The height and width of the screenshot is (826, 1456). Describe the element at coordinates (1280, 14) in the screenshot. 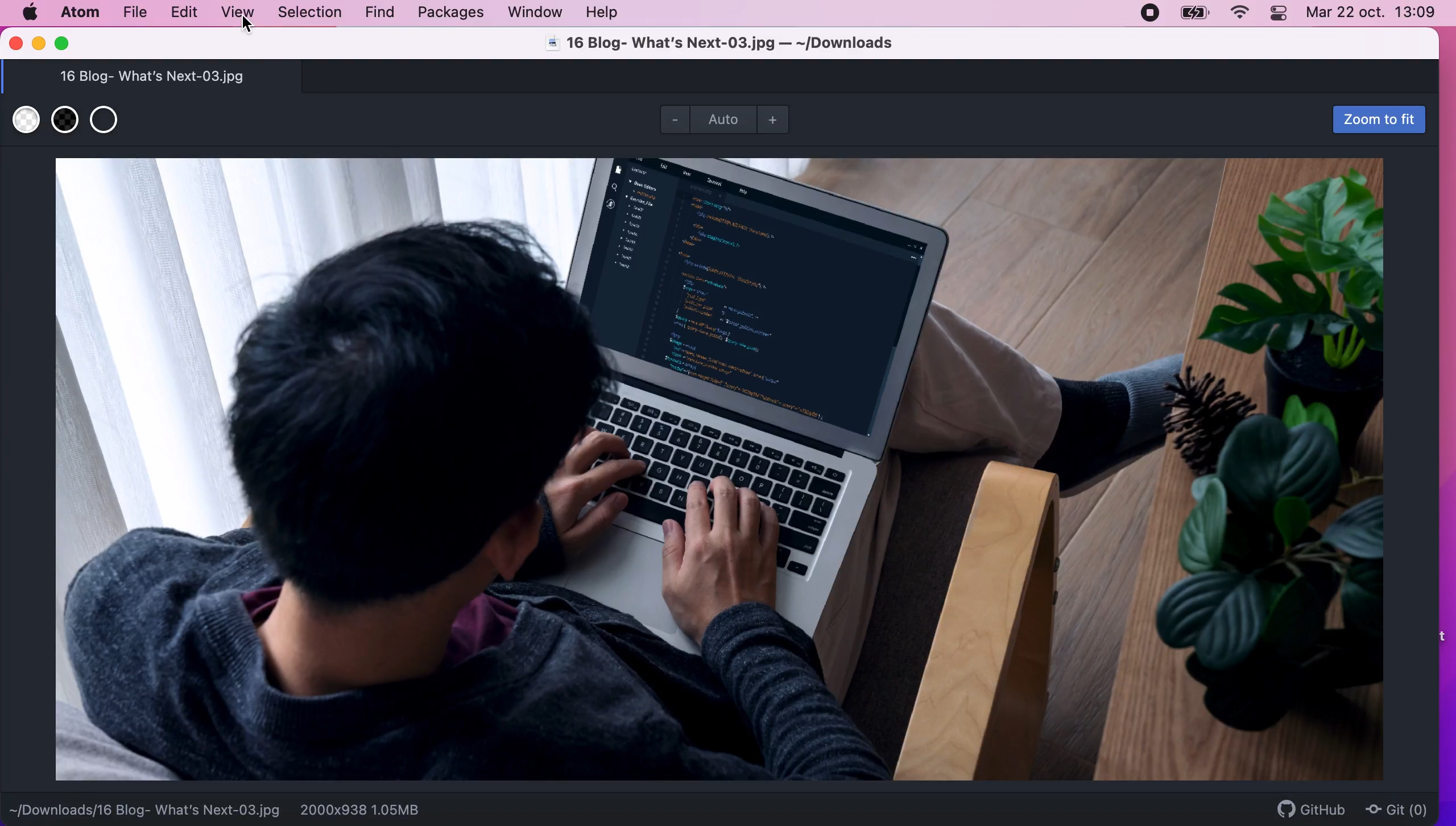

I see `panel control` at that location.